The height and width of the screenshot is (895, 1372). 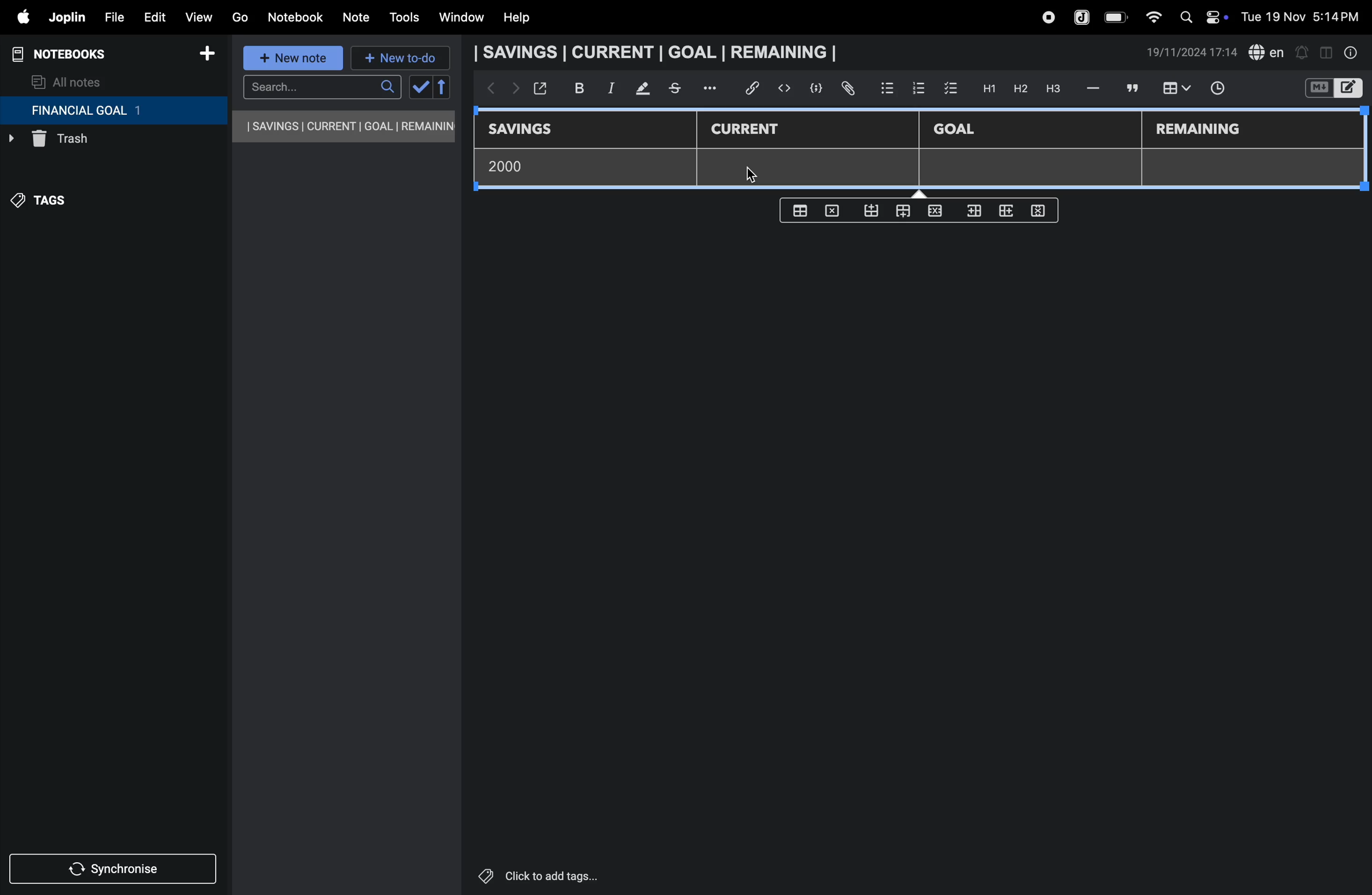 What do you see at coordinates (785, 88) in the screenshot?
I see `insert code` at bounding box center [785, 88].